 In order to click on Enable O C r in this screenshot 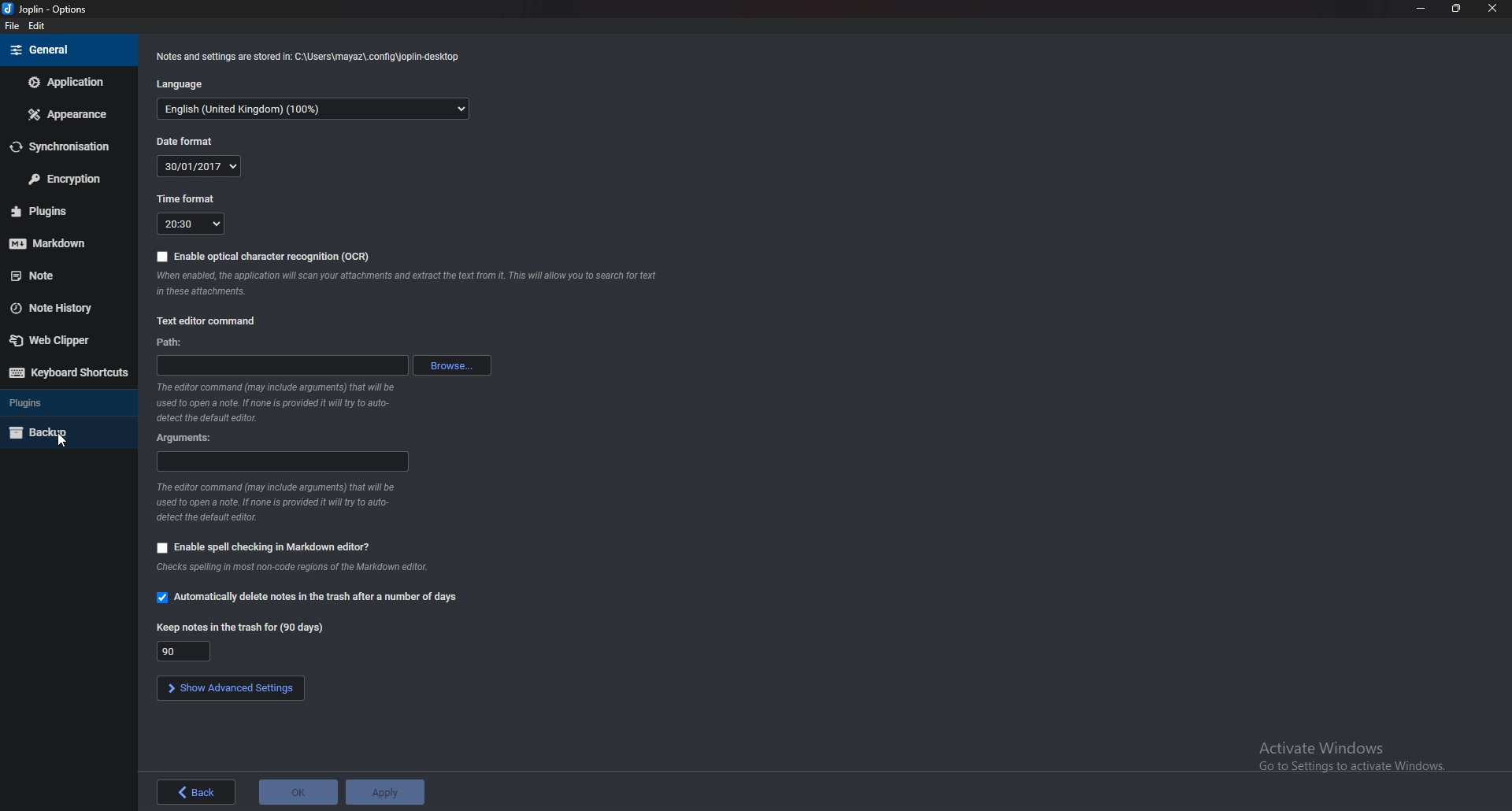, I will do `click(260, 256)`.